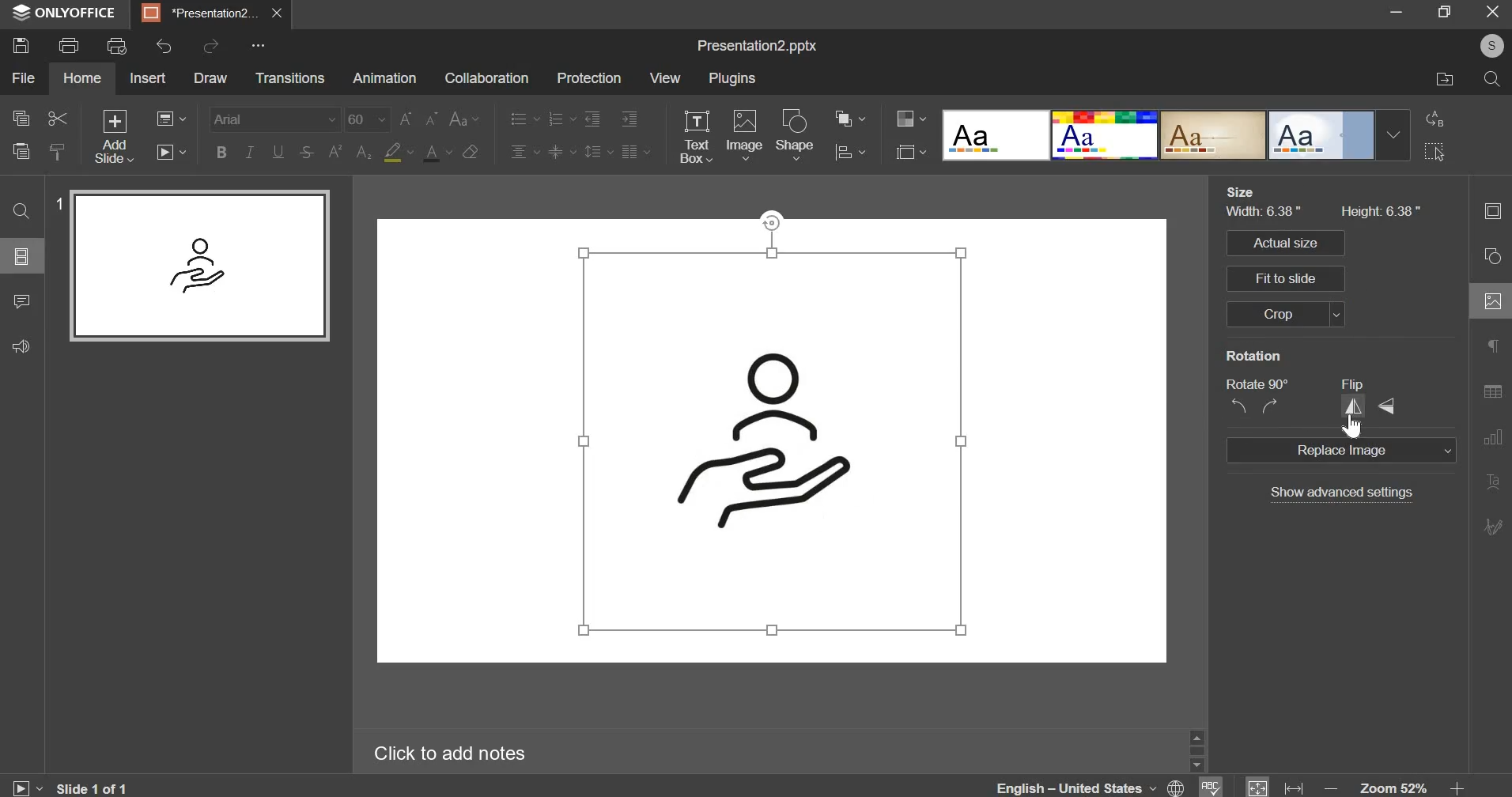 This screenshot has height=797, width=1512. What do you see at coordinates (21, 44) in the screenshot?
I see `save` at bounding box center [21, 44].